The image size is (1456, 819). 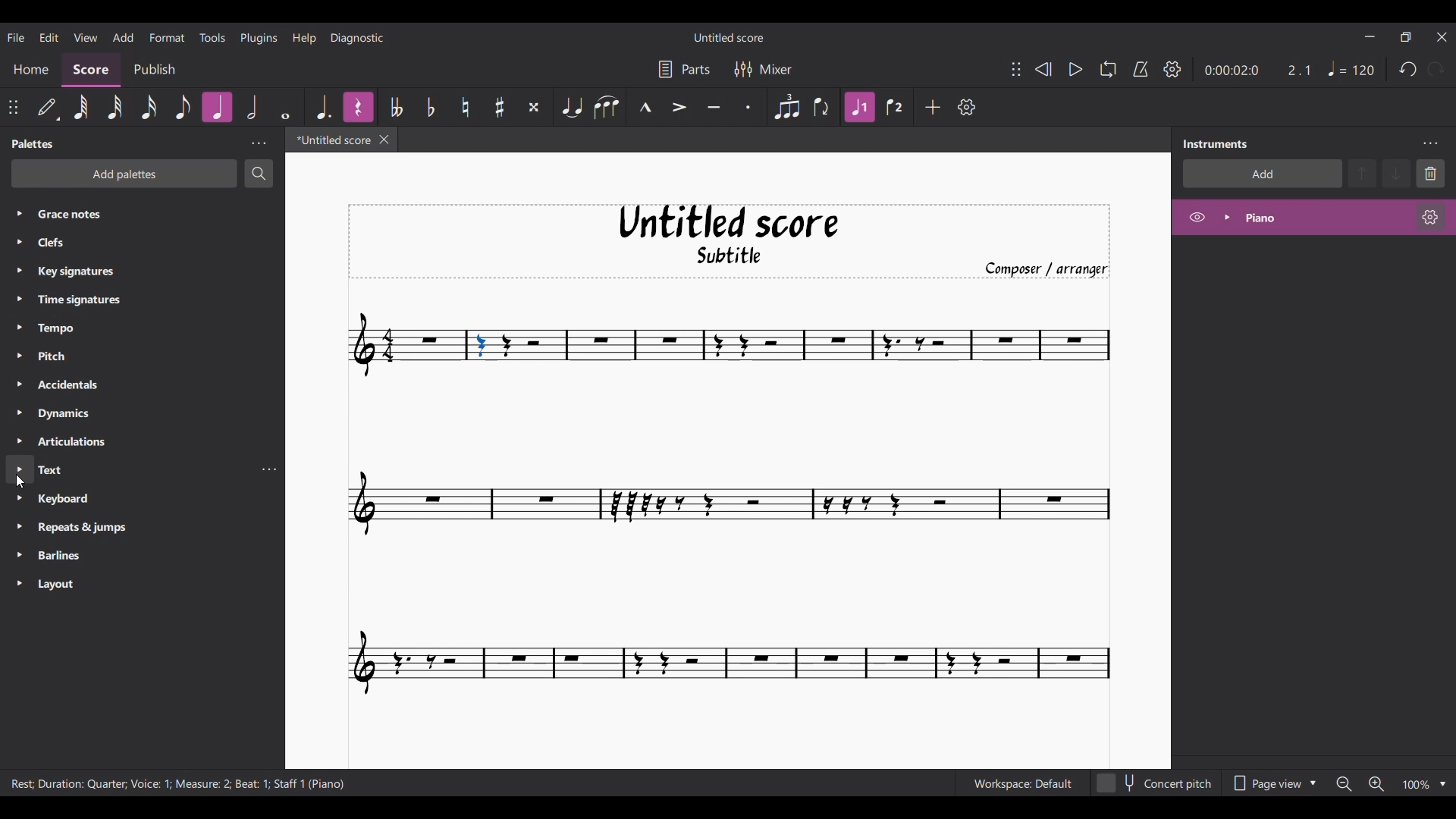 I want to click on Score section, current selection highlighted, so click(x=90, y=70).